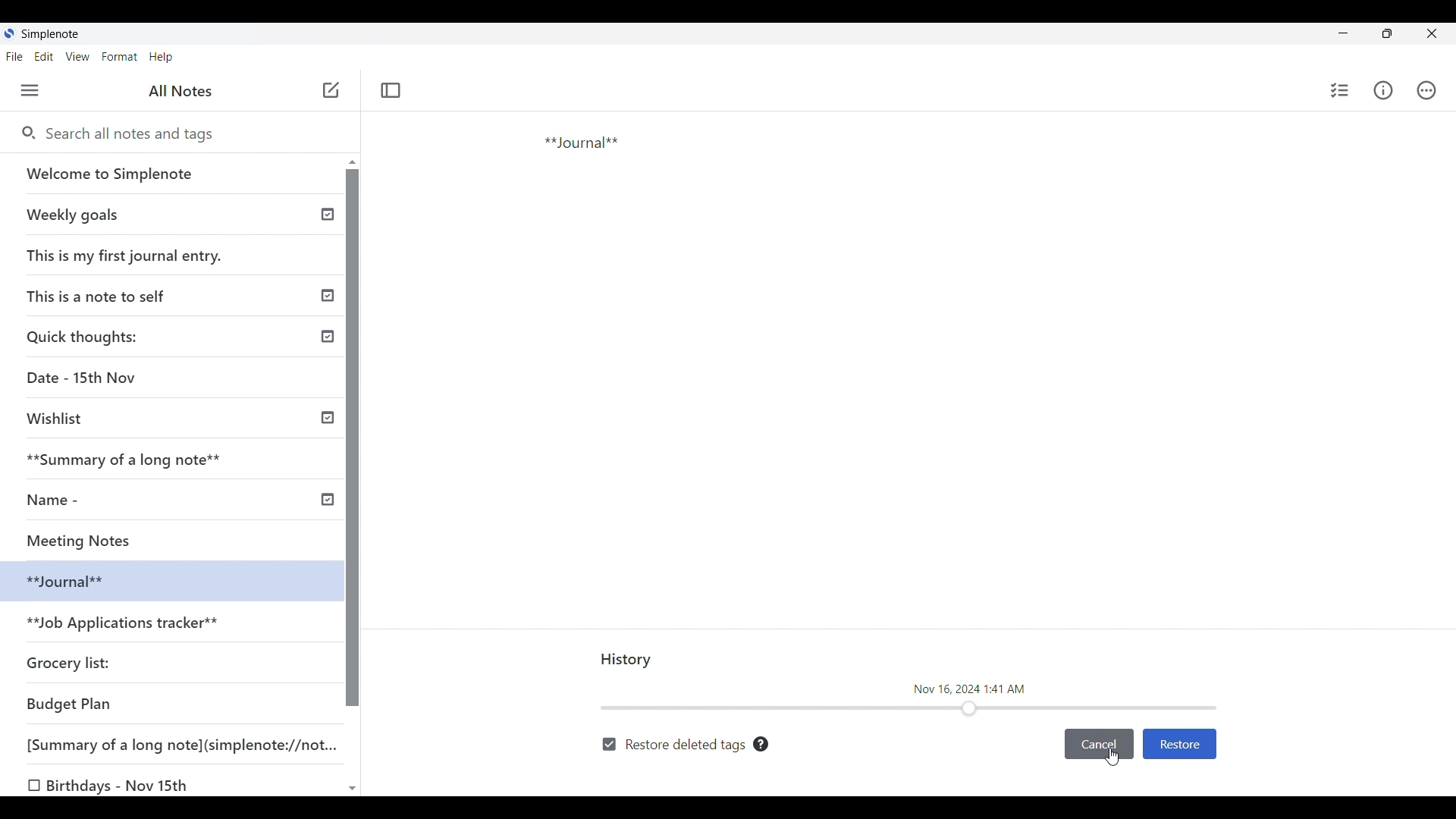 The image size is (1456, 819). What do you see at coordinates (1431, 33) in the screenshot?
I see `Close interface` at bounding box center [1431, 33].